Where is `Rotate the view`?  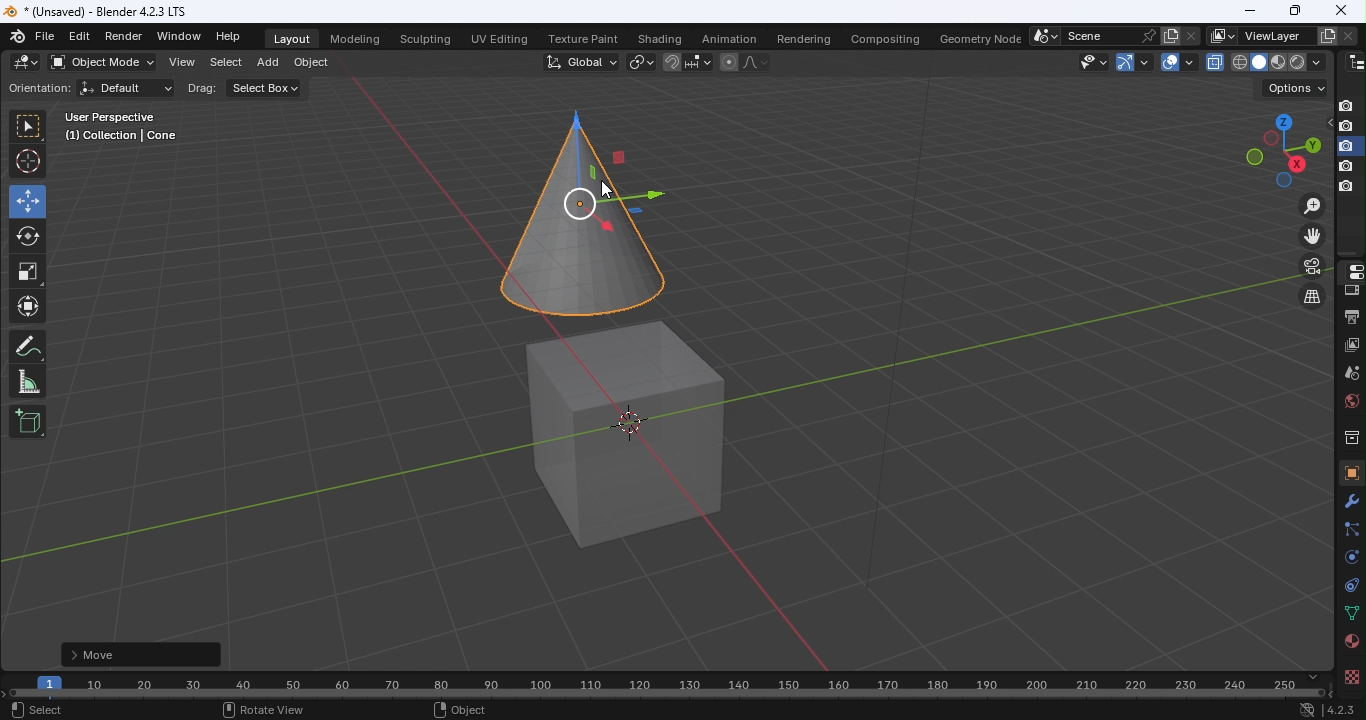
Rotate the view is located at coordinates (1281, 120).